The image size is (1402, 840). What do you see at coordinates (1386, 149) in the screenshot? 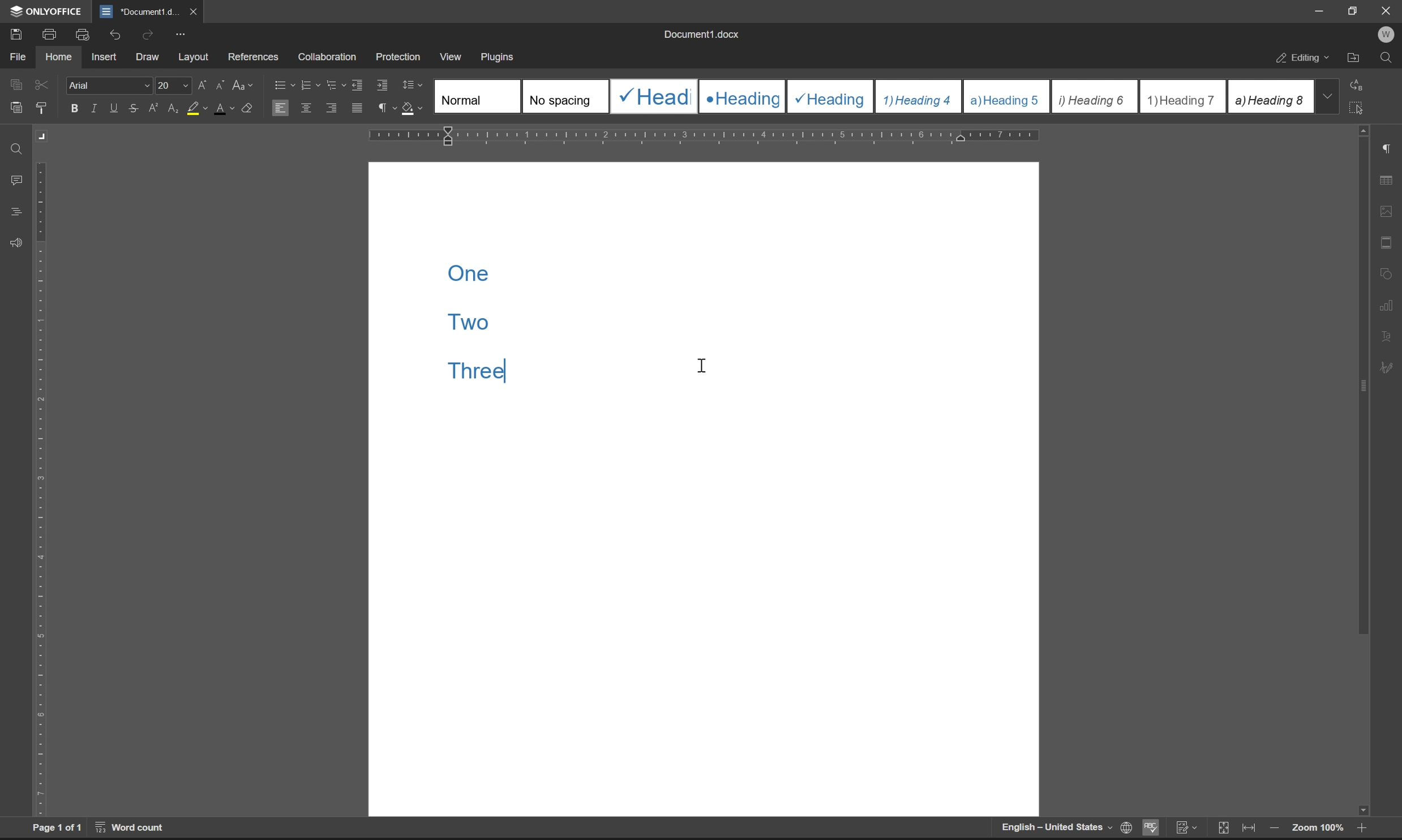
I see `paragraph settings` at bounding box center [1386, 149].